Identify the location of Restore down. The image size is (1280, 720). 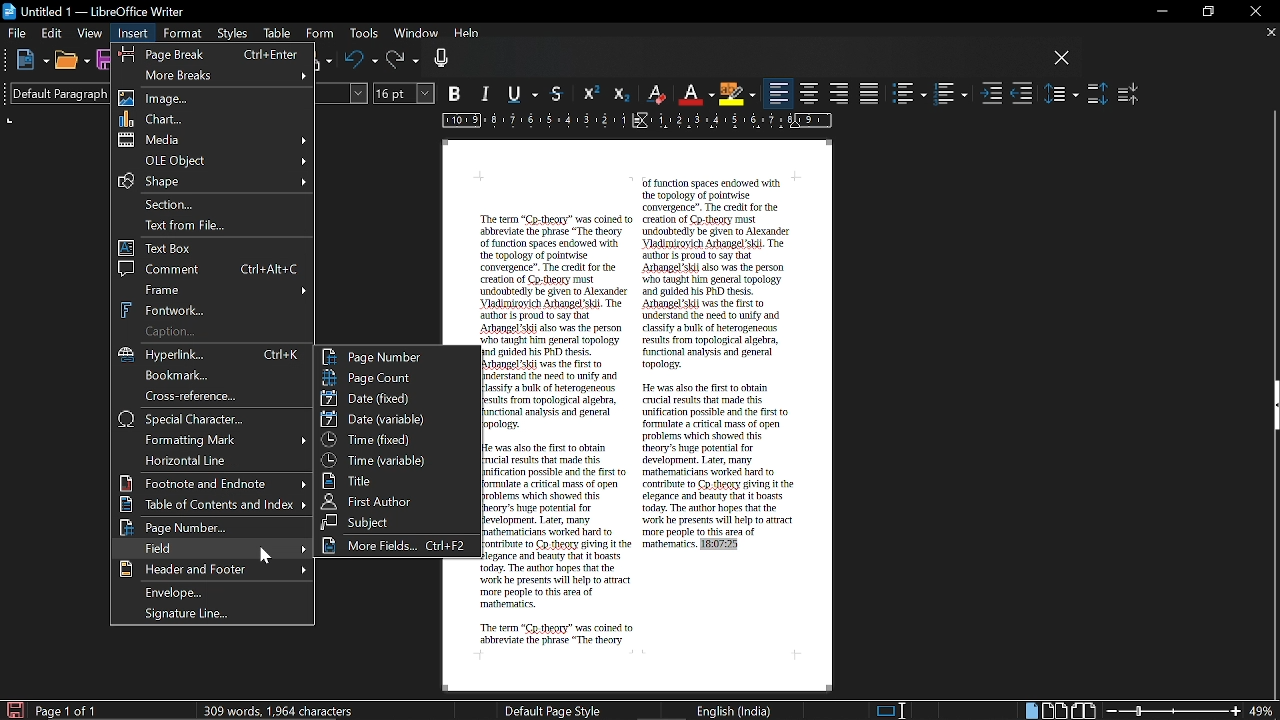
(1206, 12).